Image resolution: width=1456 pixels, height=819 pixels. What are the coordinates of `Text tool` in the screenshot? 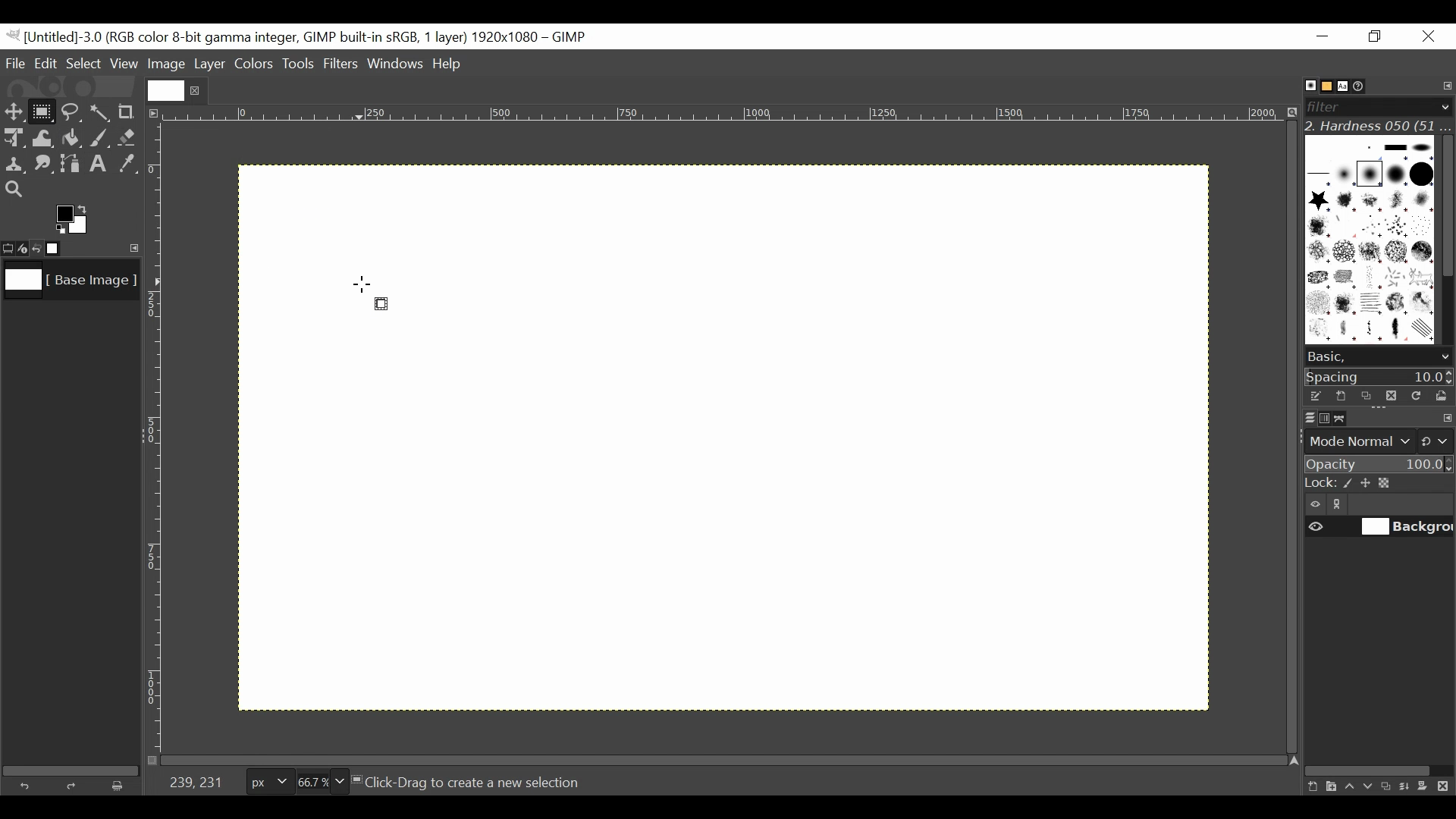 It's located at (101, 165).